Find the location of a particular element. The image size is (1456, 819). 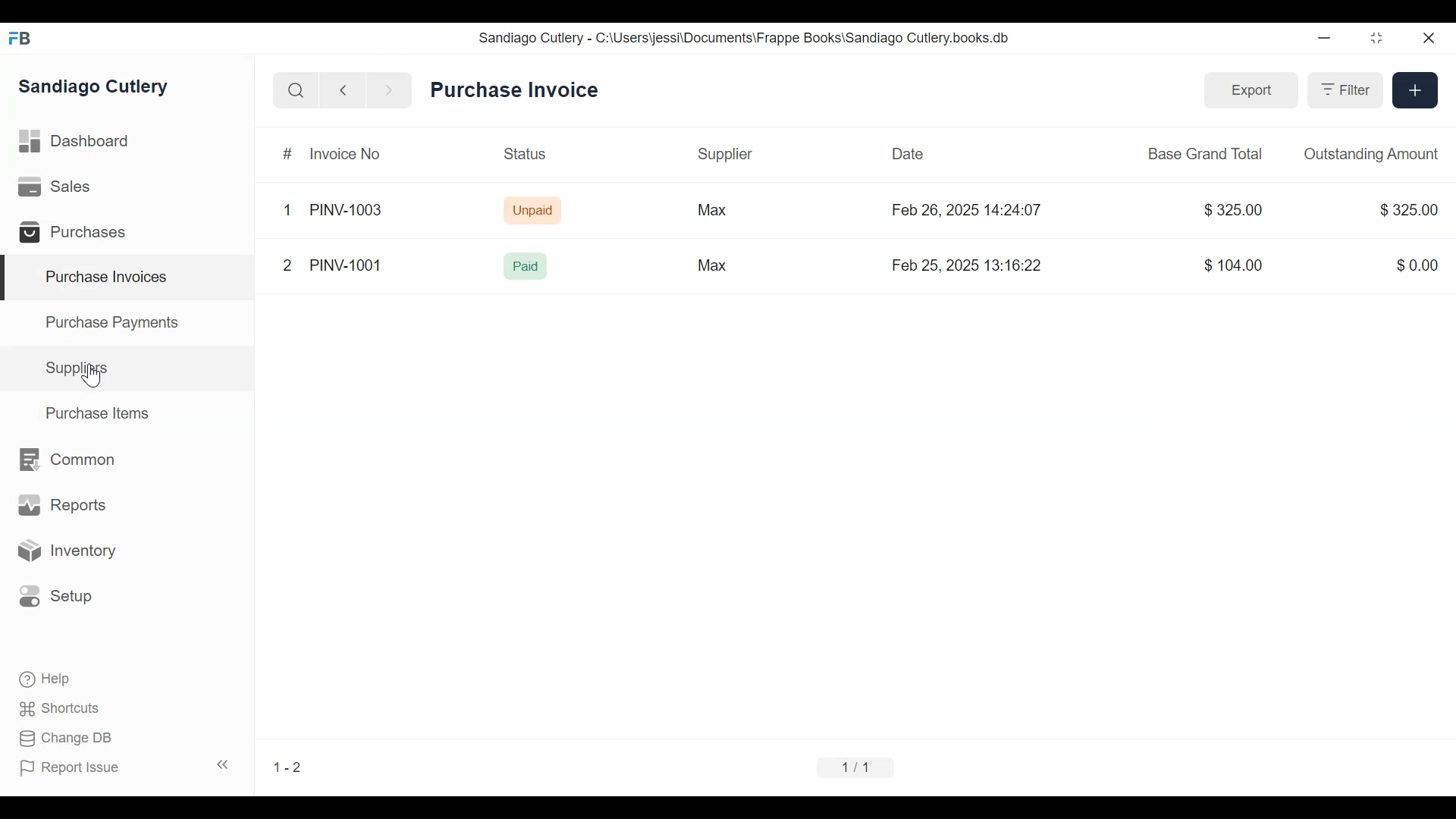

PINV-1001 is located at coordinates (356, 261).